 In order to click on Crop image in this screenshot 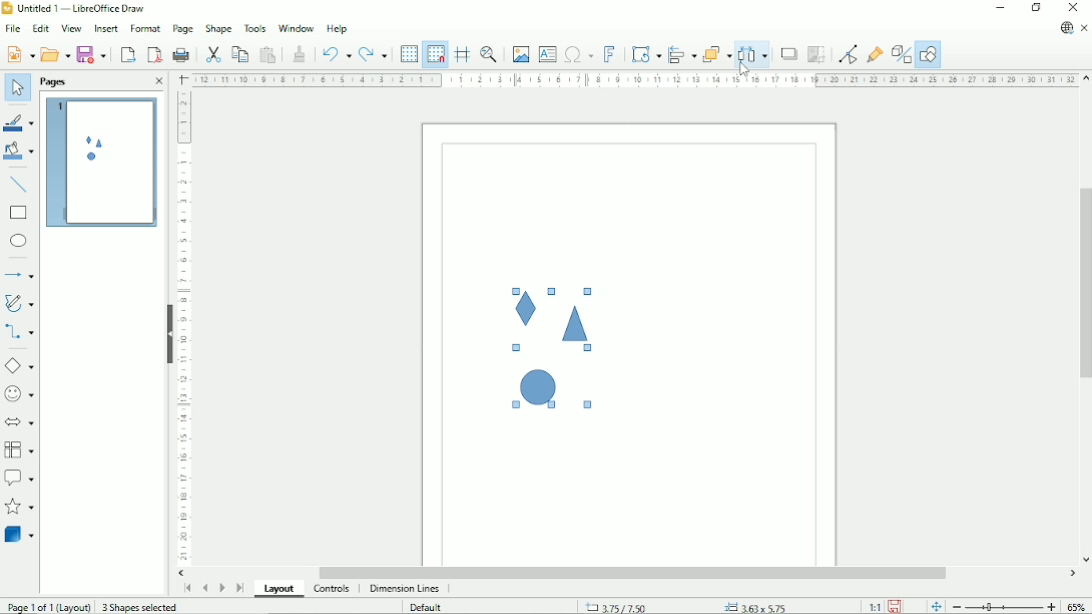, I will do `click(817, 55)`.